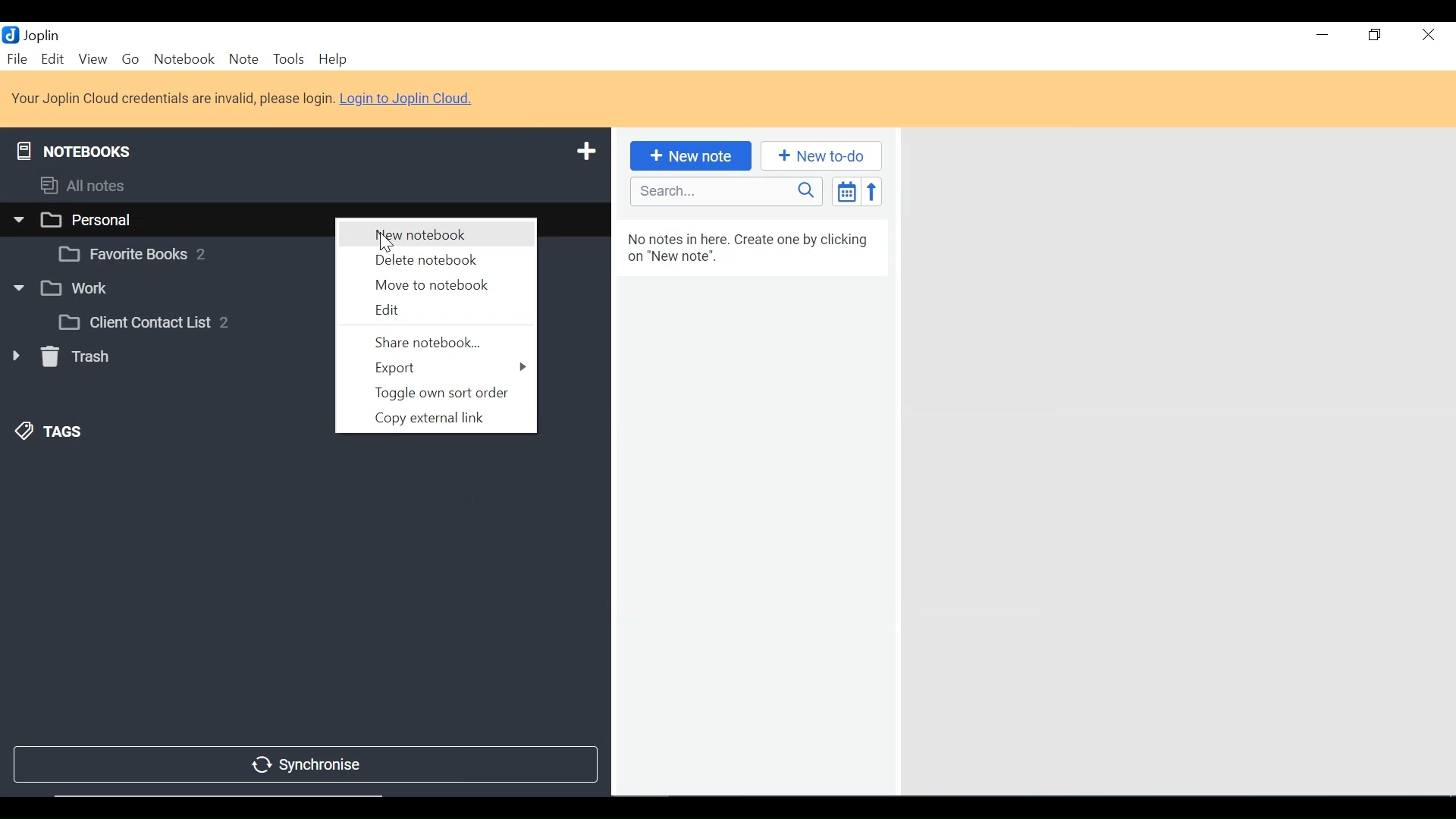 The image size is (1456, 819). I want to click on Toggle sort editor list, so click(845, 191).